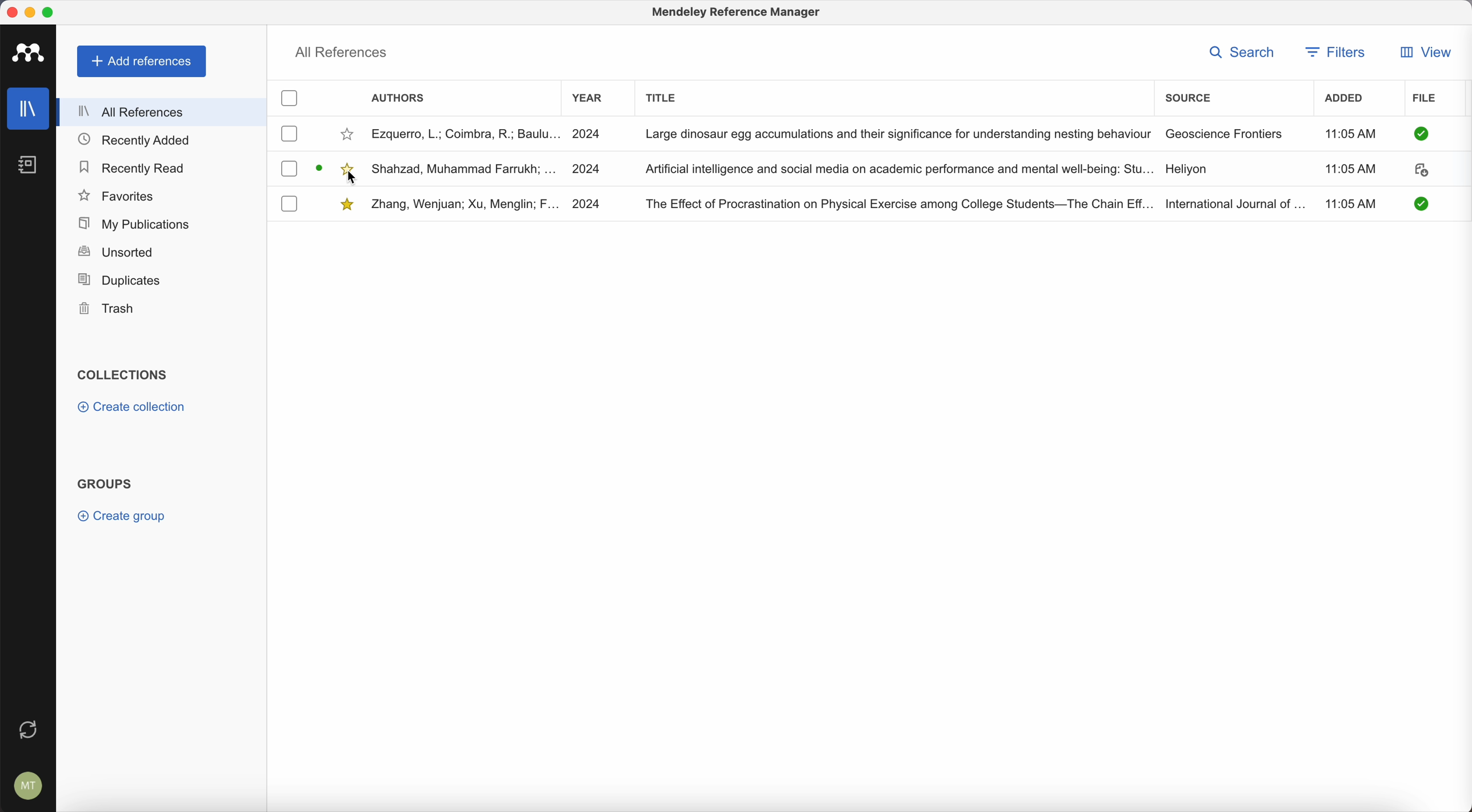 The width and height of the screenshot is (1472, 812). Describe the element at coordinates (348, 166) in the screenshot. I see `favorite` at that location.